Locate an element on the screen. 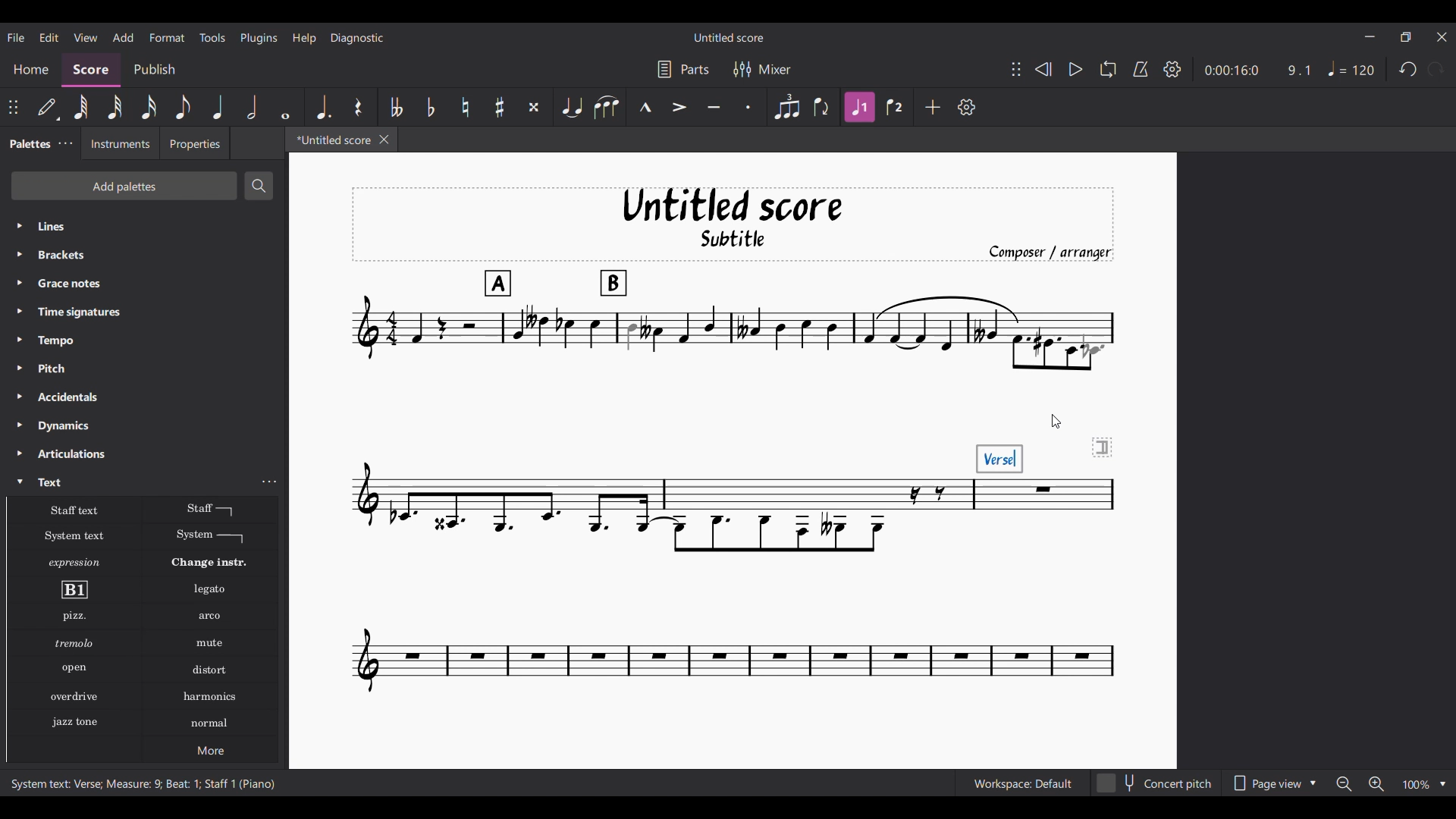 Image resolution: width=1456 pixels, height=819 pixels. Play is located at coordinates (1075, 69).